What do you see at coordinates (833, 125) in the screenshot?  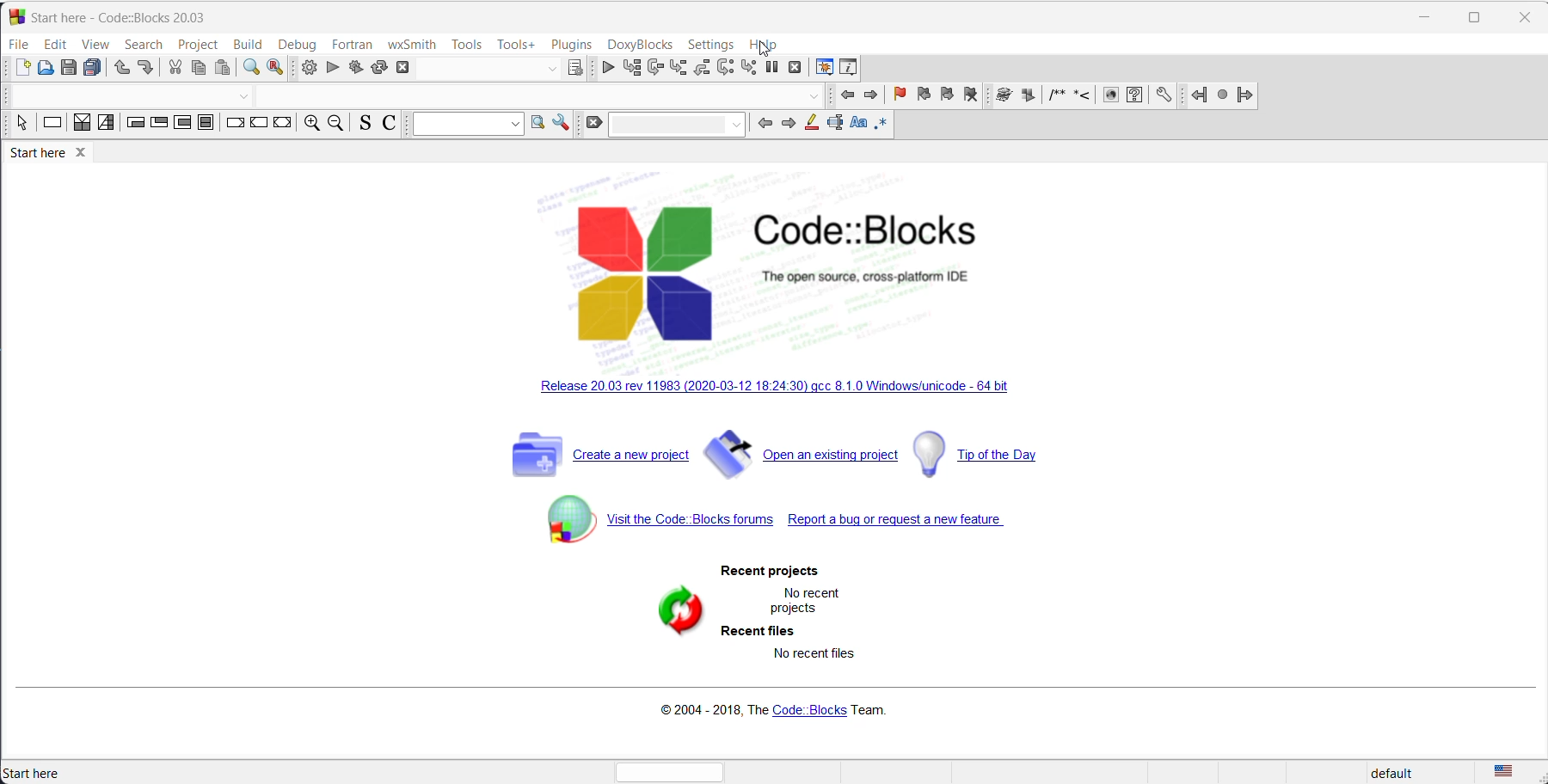 I see `highlight` at bounding box center [833, 125].